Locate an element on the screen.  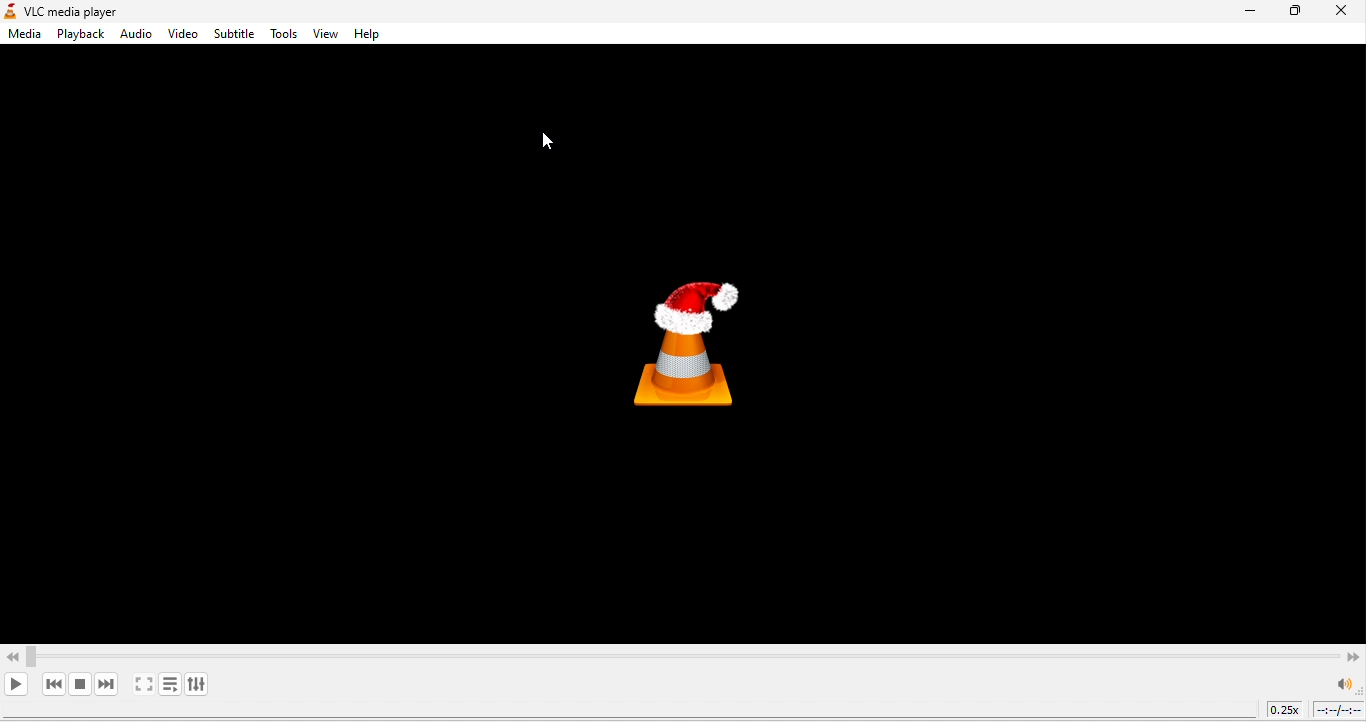
Video Scroll bar is located at coordinates (682, 648).